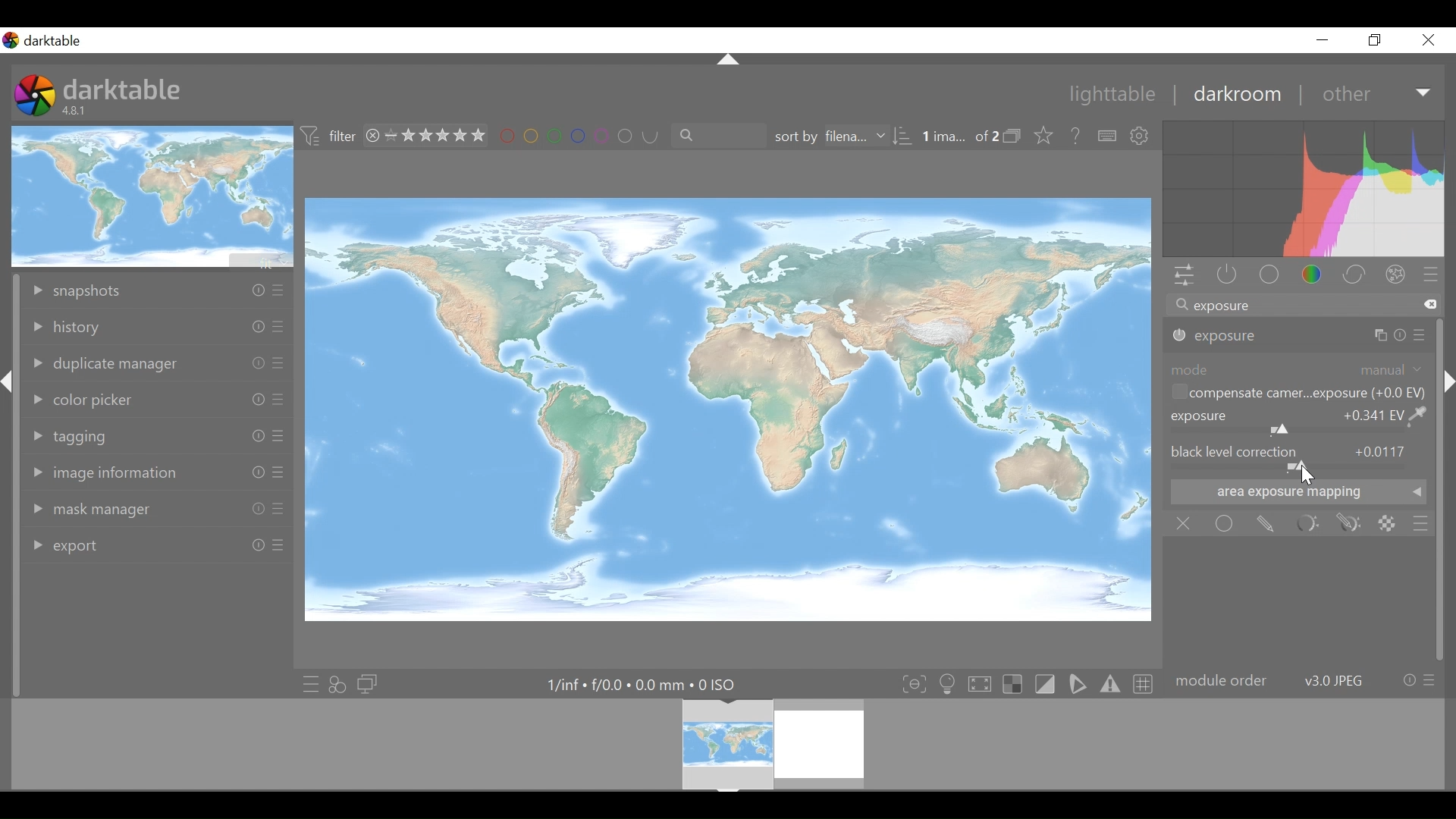 This screenshot has width=1456, height=819. I want to click on Minimize, so click(1323, 39).